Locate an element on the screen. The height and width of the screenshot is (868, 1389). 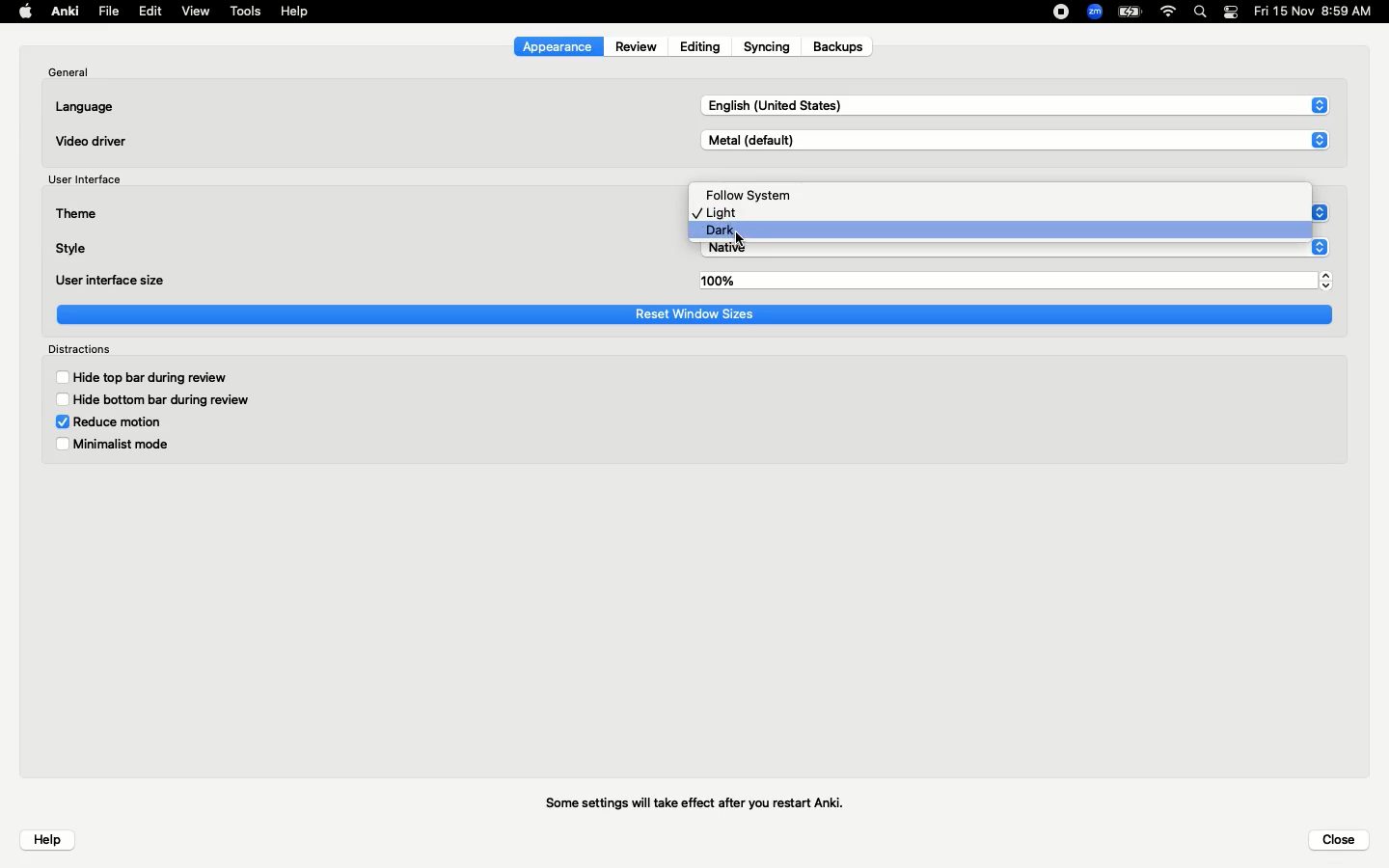
Help is located at coordinates (296, 12).